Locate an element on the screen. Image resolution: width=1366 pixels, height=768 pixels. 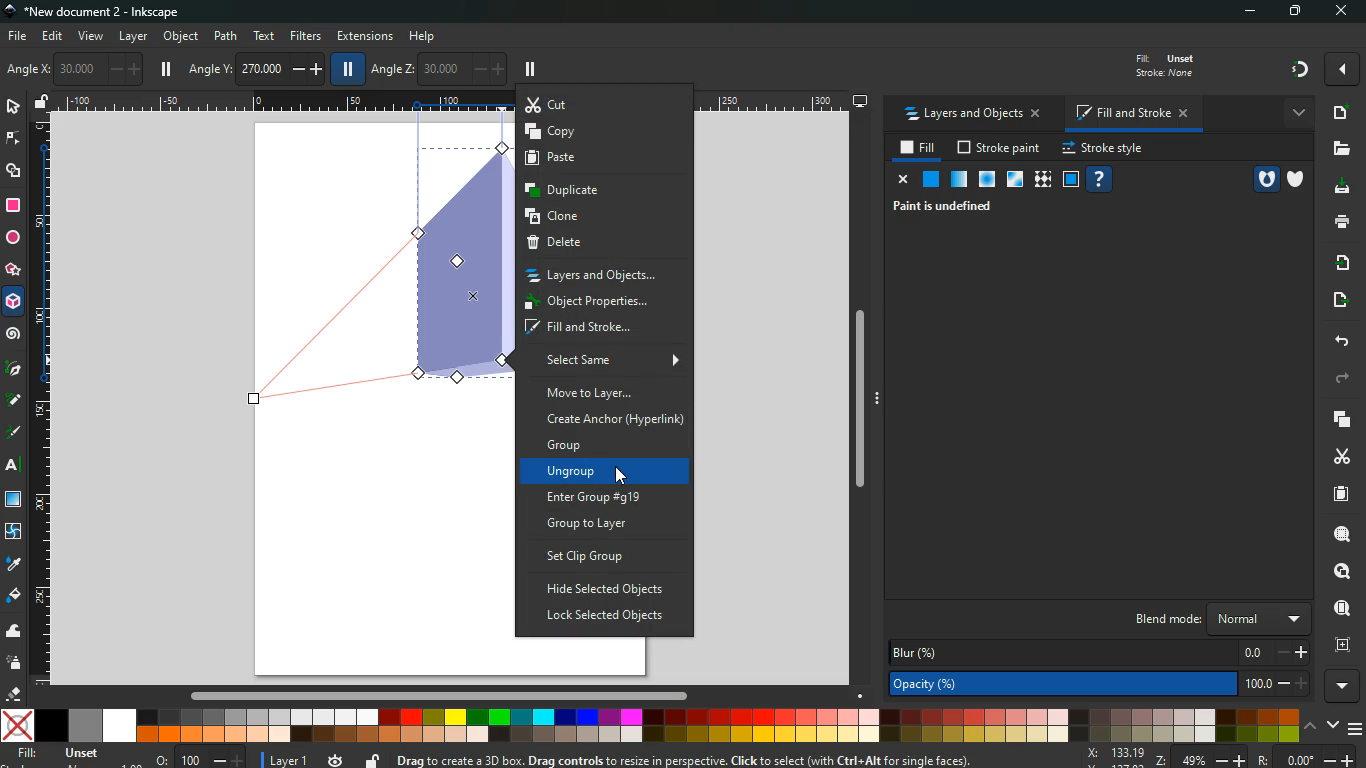
close is located at coordinates (1340, 12).